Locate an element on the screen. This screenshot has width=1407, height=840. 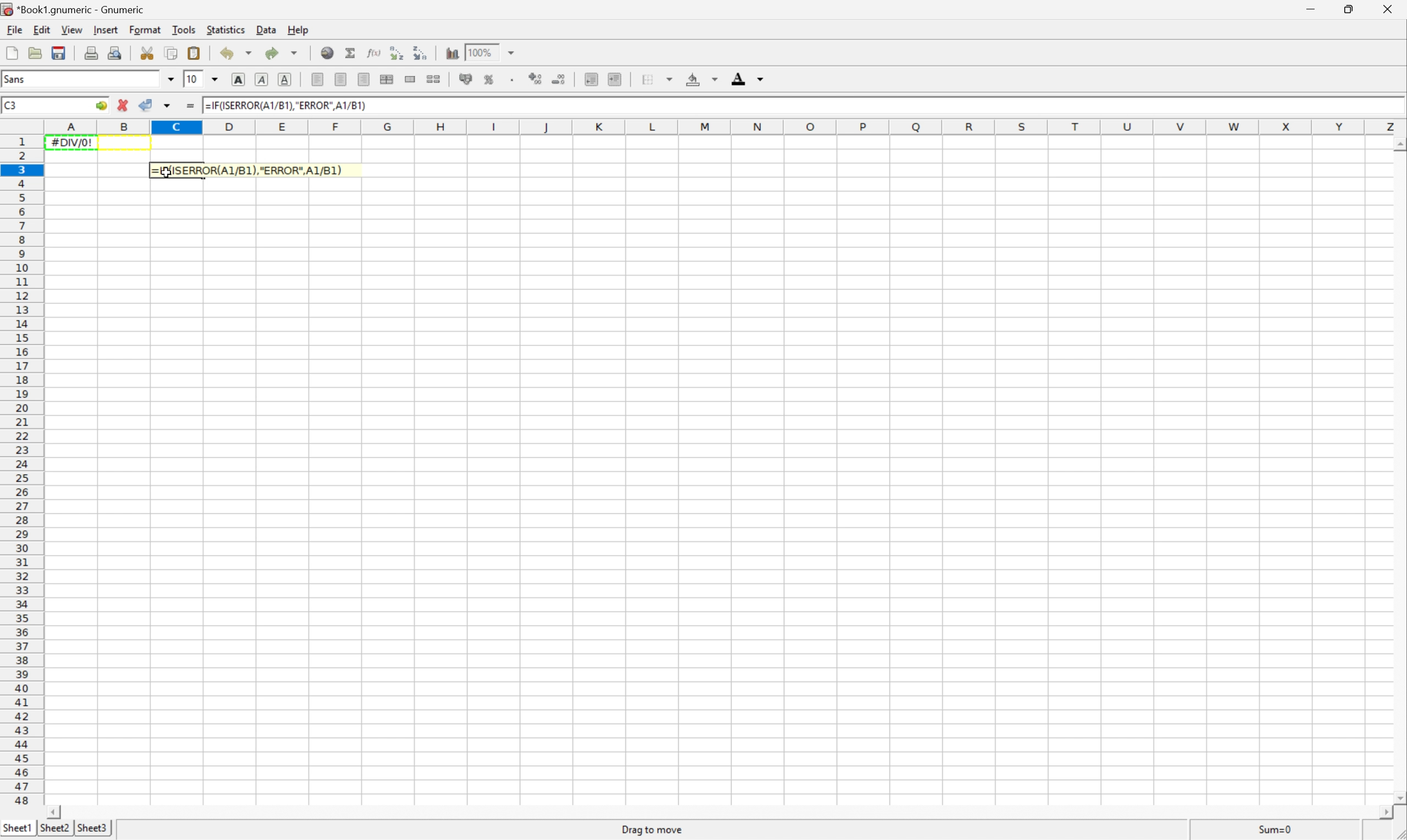
Column names is located at coordinates (723, 127).